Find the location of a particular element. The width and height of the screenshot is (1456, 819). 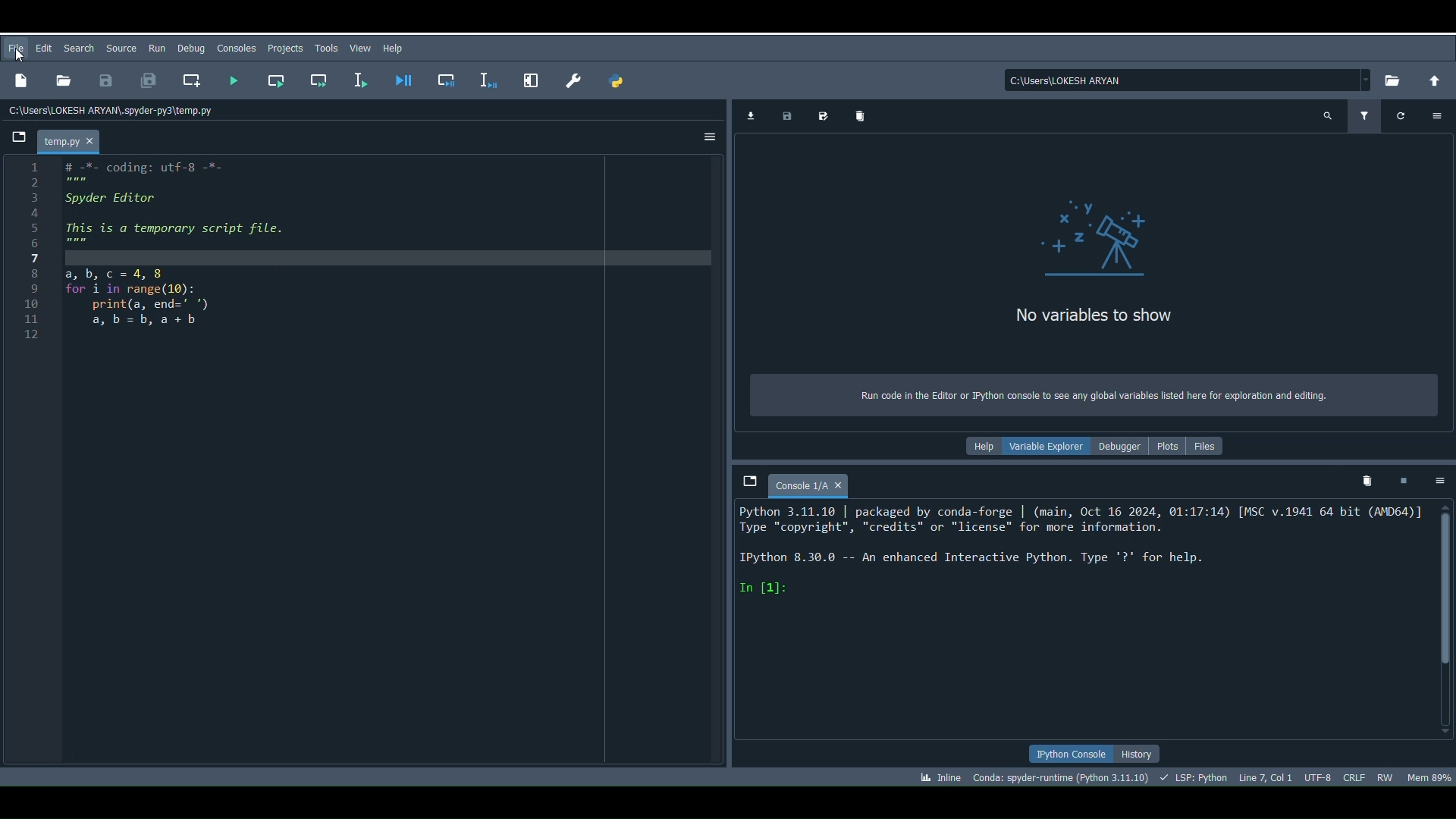

File EOL Status is located at coordinates (1355, 775).